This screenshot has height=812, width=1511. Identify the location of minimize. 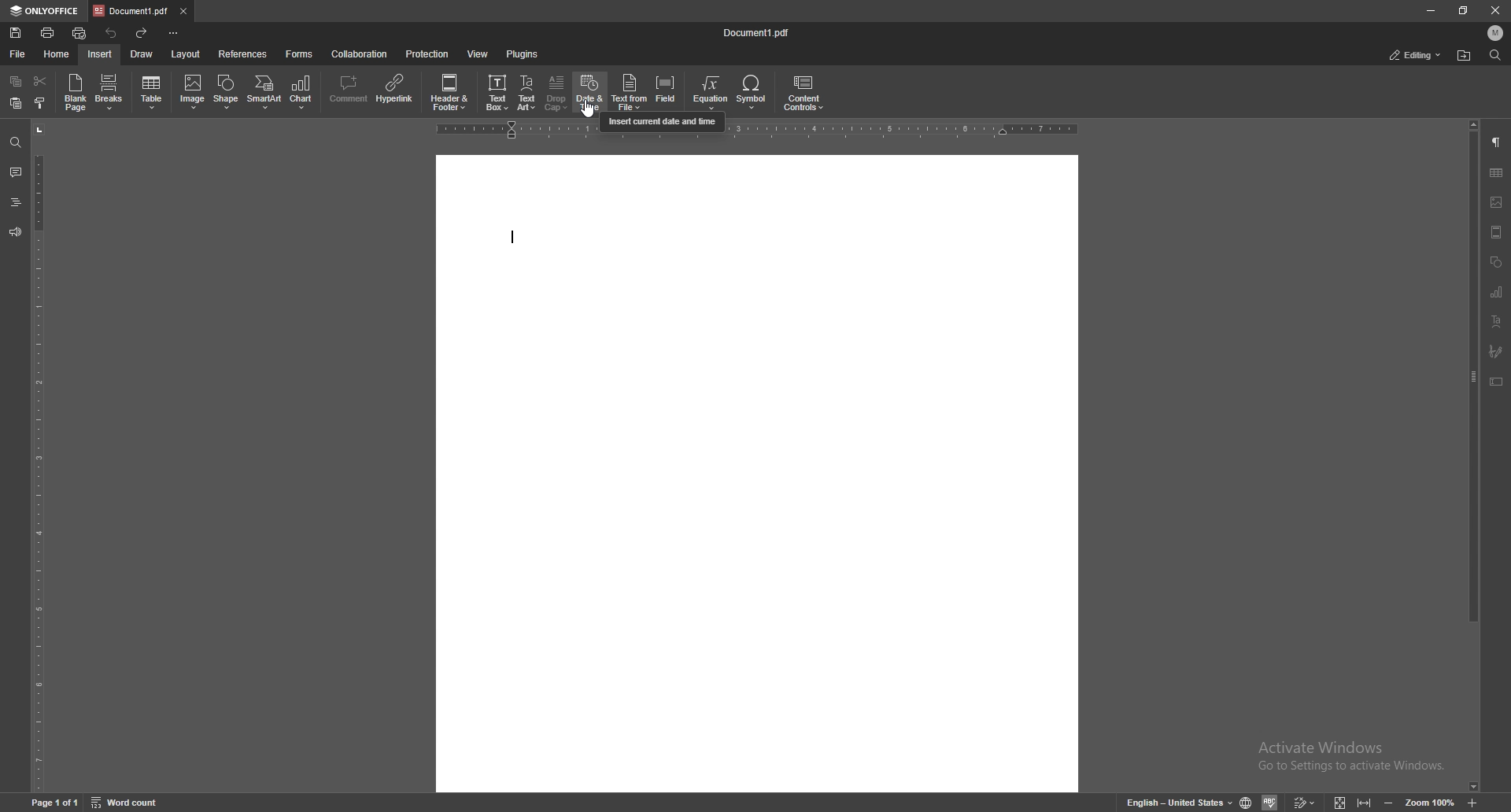
(1428, 9).